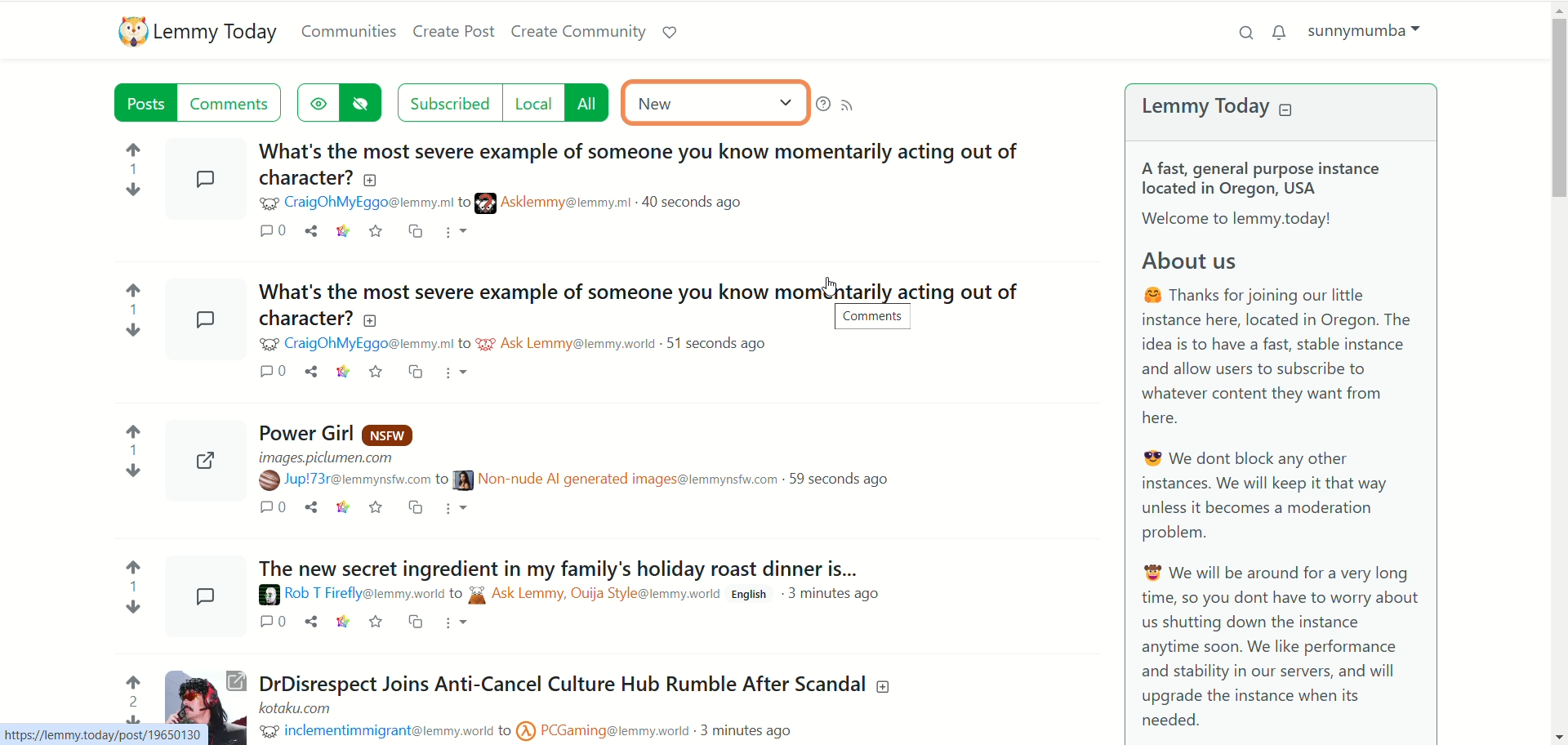 The width and height of the screenshot is (1568, 745). What do you see at coordinates (1221, 106) in the screenshot?
I see `lemmy today` at bounding box center [1221, 106].